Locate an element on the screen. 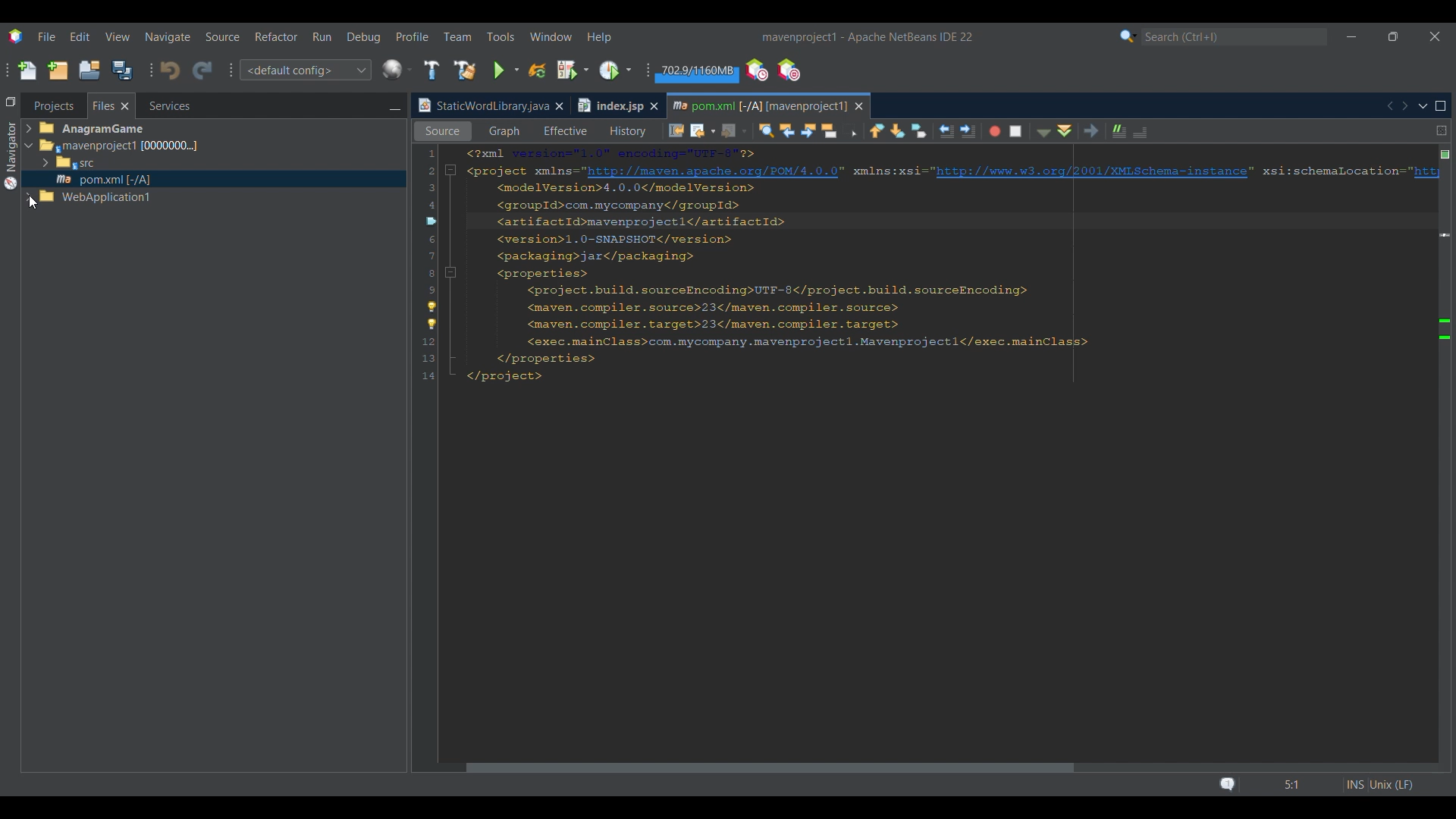 This screenshot has width=1456, height=819. Uncomment is located at coordinates (1146, 130).